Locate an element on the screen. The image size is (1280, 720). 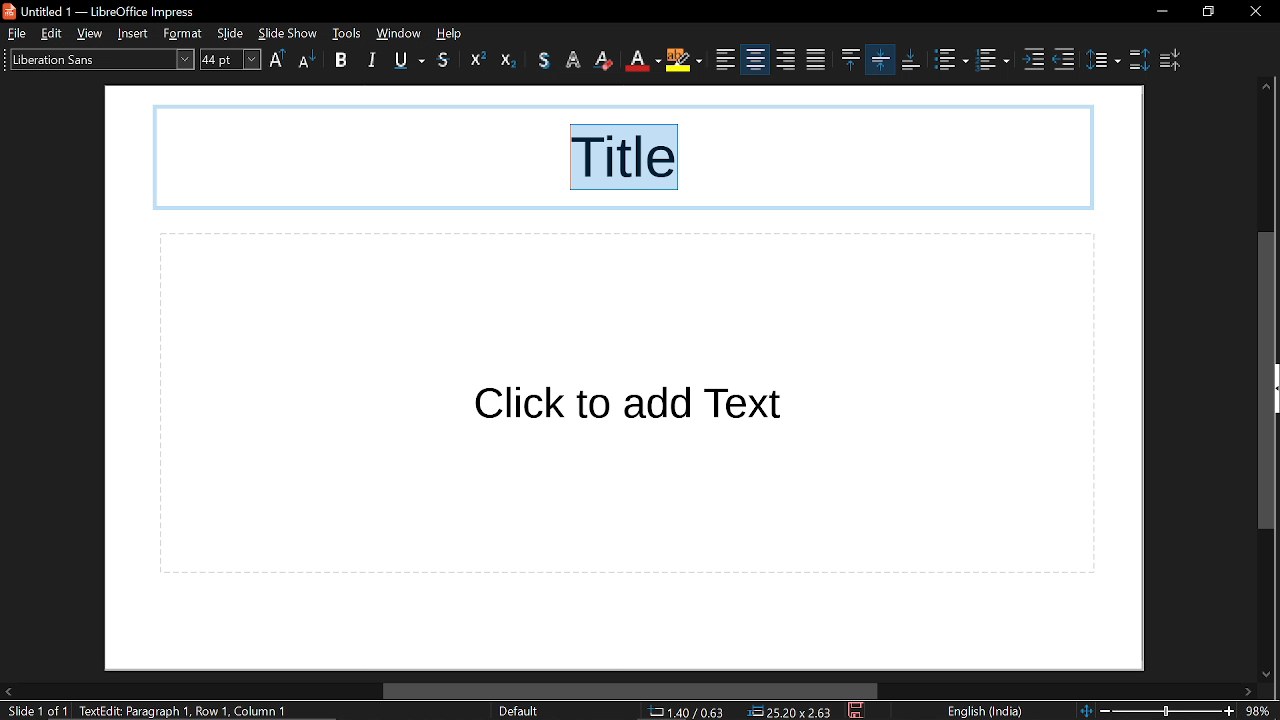
superscript is located at coordinates (473, 61).